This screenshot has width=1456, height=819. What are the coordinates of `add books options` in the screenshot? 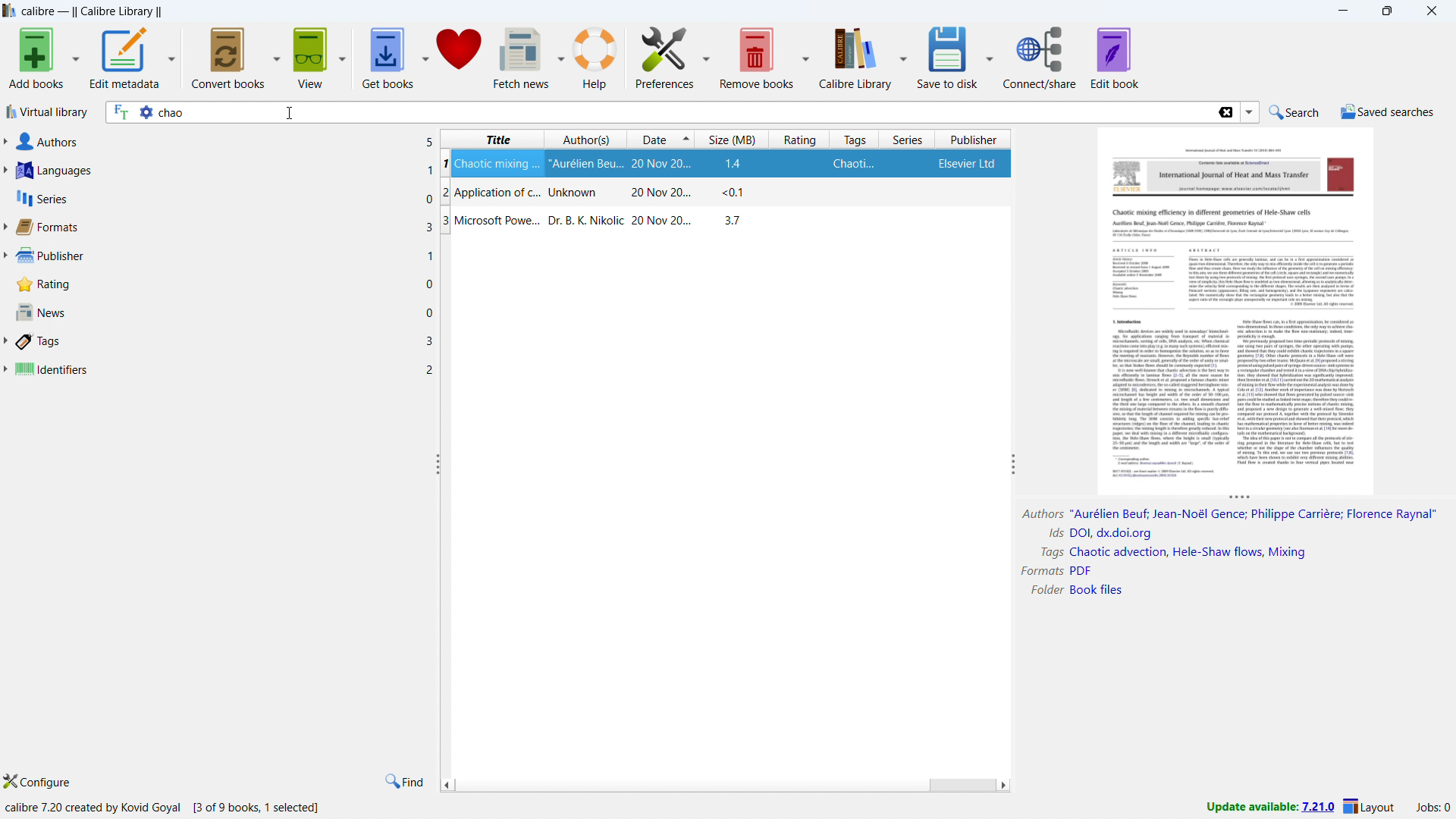 It's located at (76, 55).